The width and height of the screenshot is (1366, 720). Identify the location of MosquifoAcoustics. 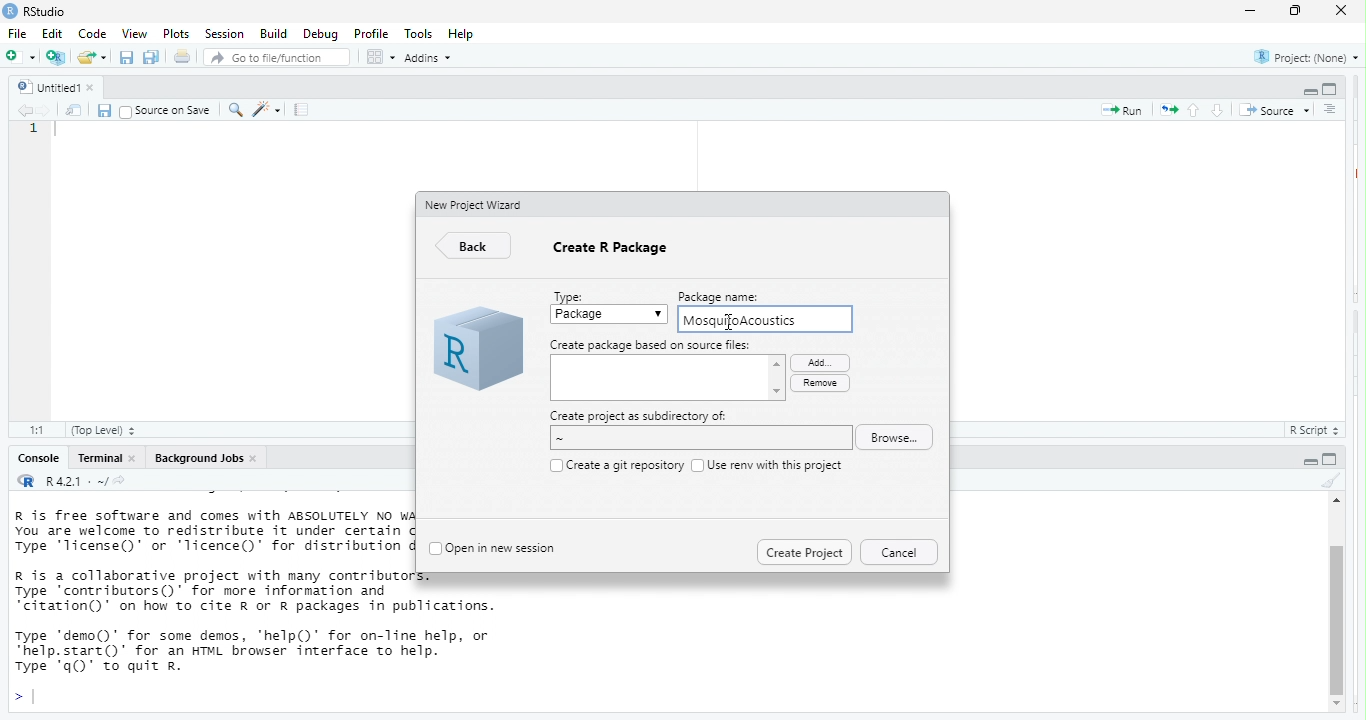
(746, 321).